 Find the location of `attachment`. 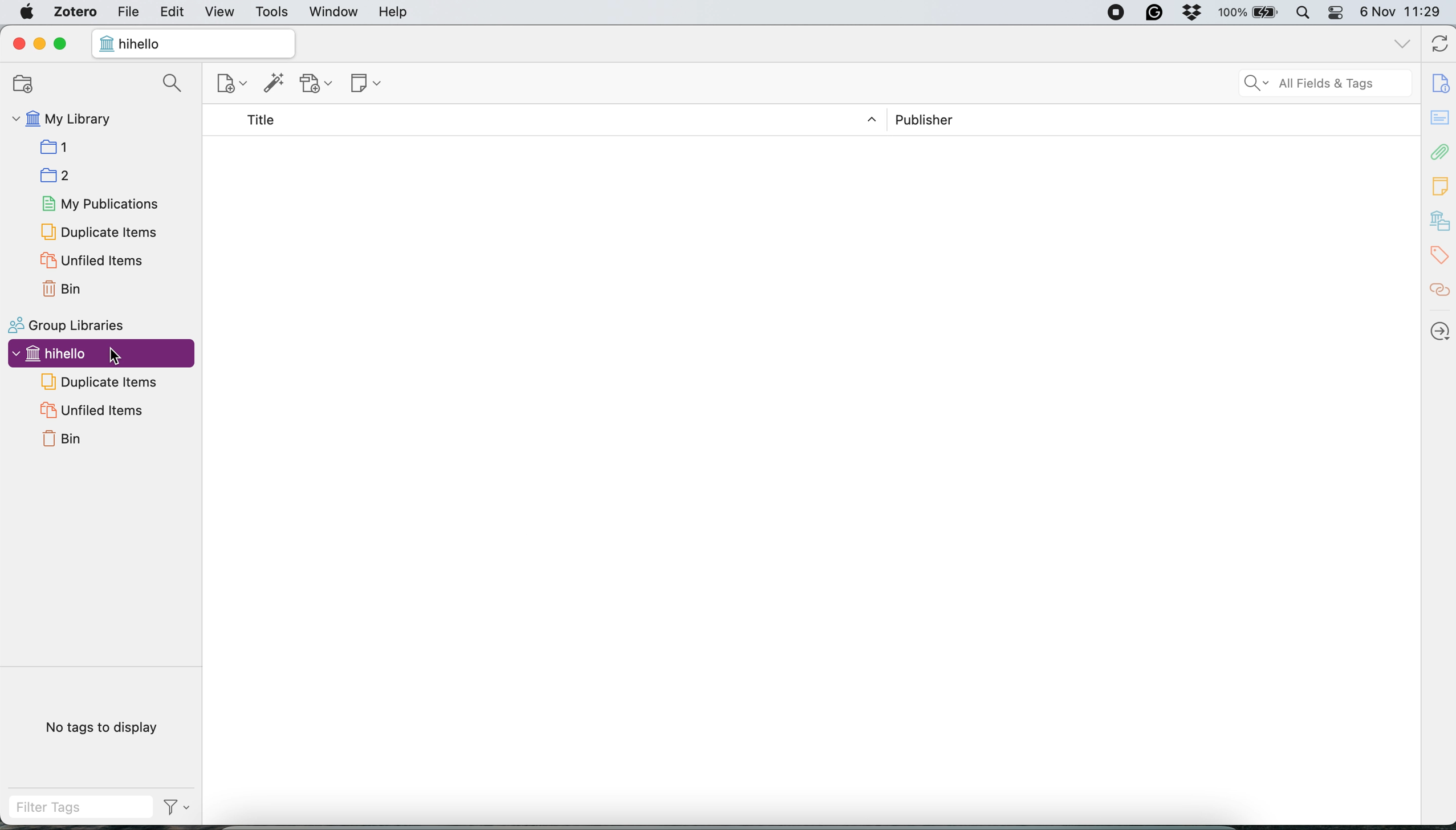

attachment is located at coordinates (1438, 153).